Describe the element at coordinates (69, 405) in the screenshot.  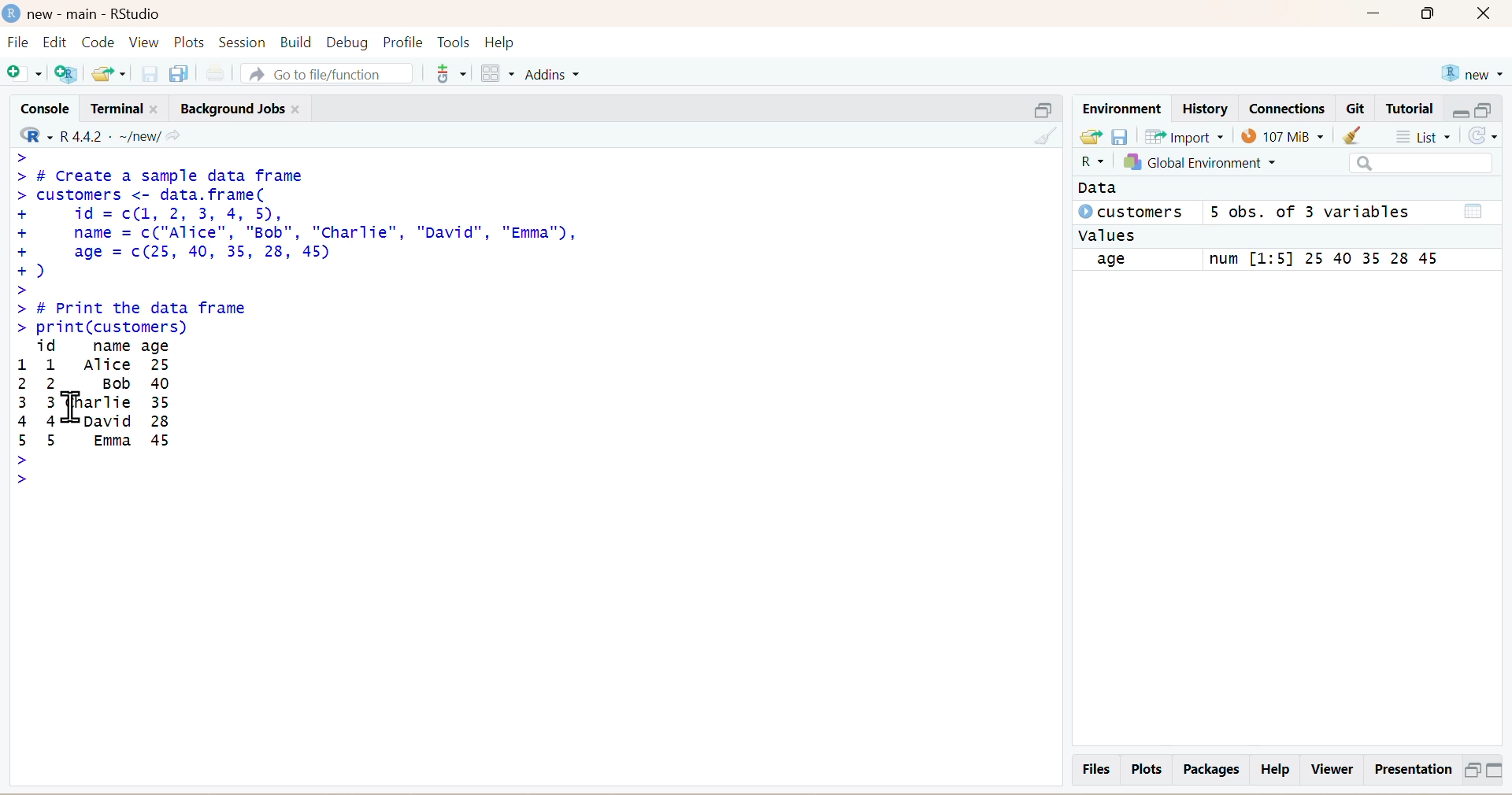
I see `text cursor` at that location.